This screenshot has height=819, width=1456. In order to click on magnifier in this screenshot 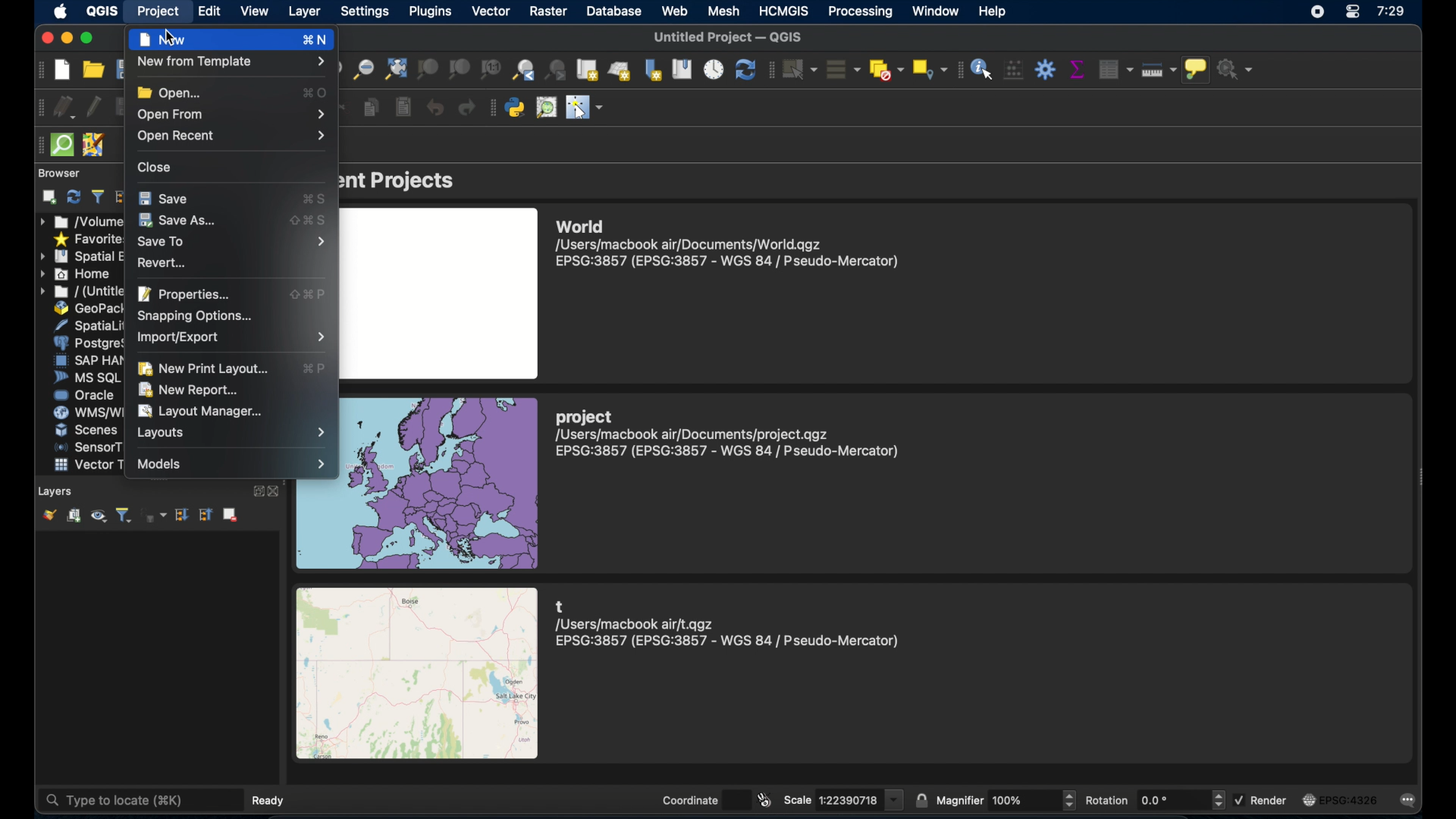, I will do `click(961, 801)`.